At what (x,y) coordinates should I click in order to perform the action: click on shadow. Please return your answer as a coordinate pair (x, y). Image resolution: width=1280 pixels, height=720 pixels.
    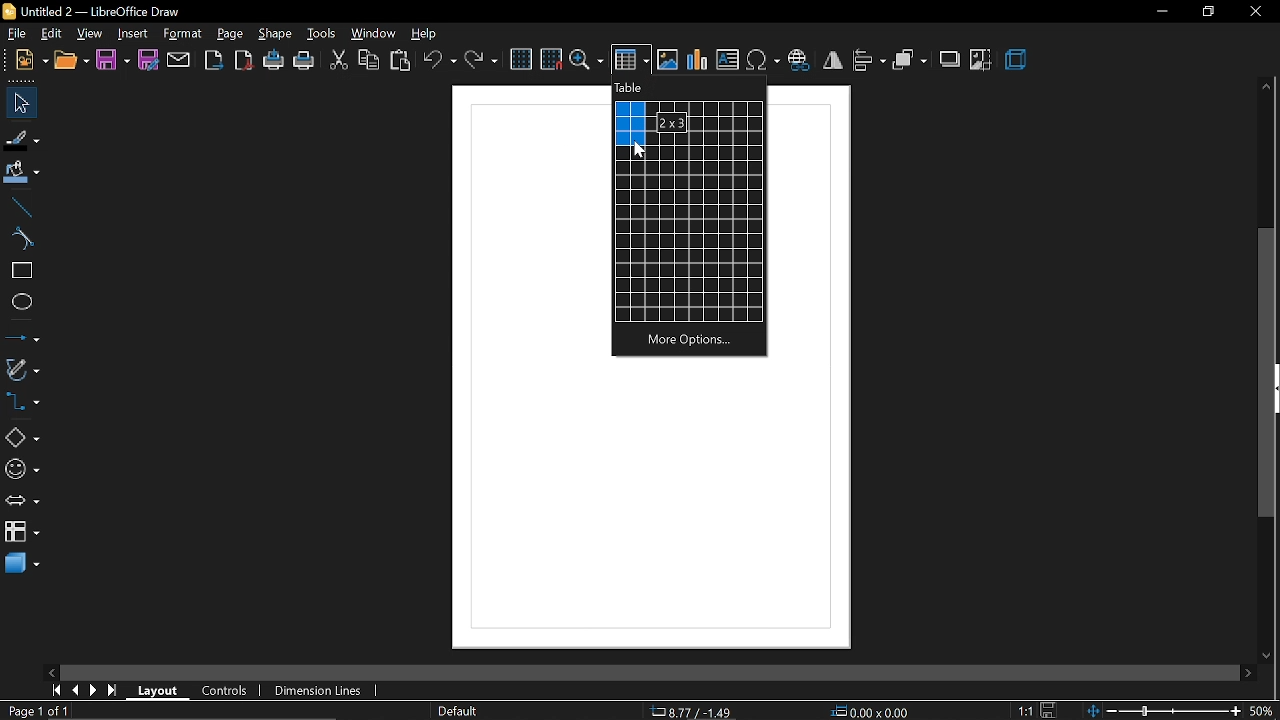
    Looking at the image, I should click on (949, 61).